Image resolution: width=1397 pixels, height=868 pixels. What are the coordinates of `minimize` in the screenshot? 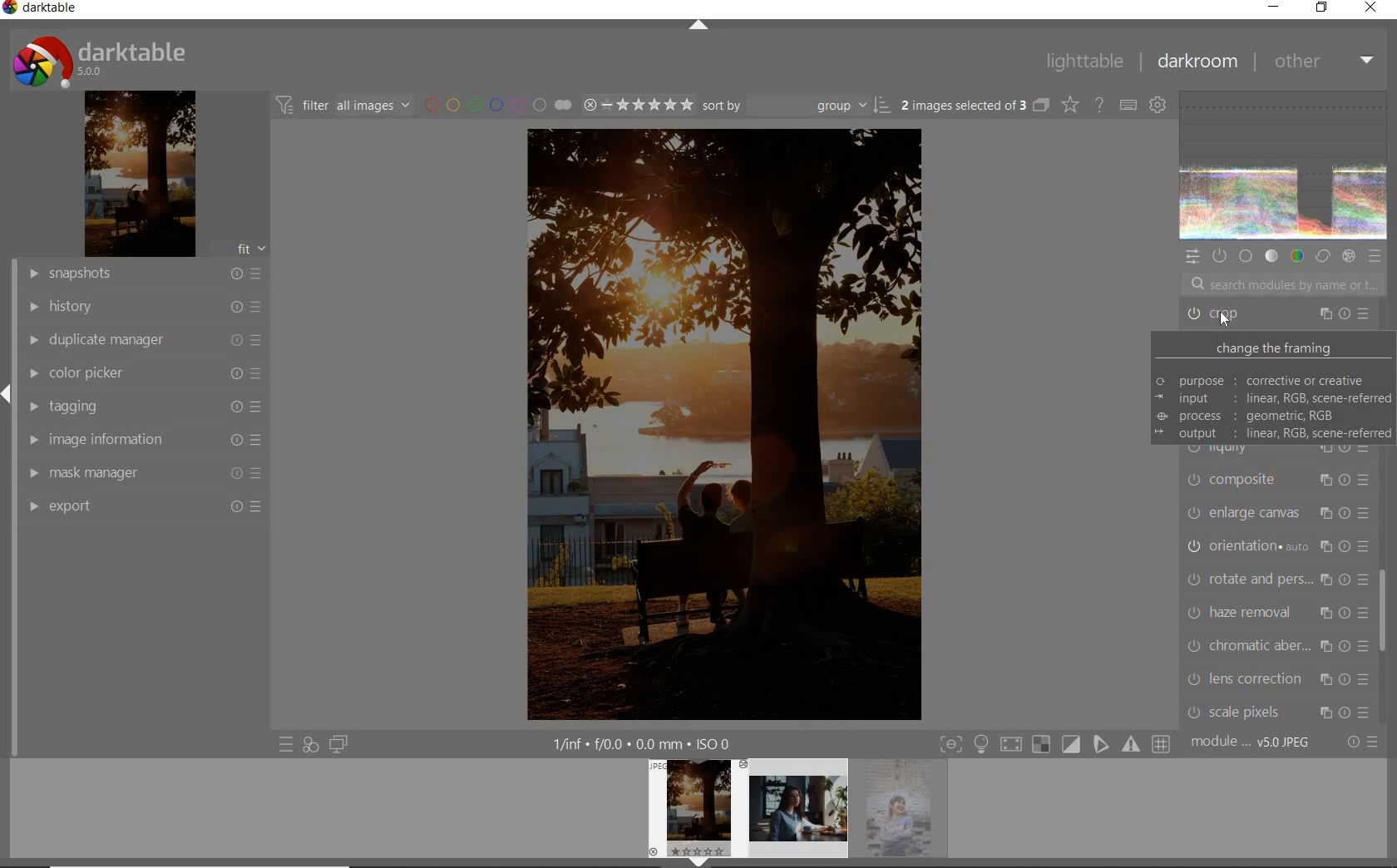 It's located at (1273, 6).